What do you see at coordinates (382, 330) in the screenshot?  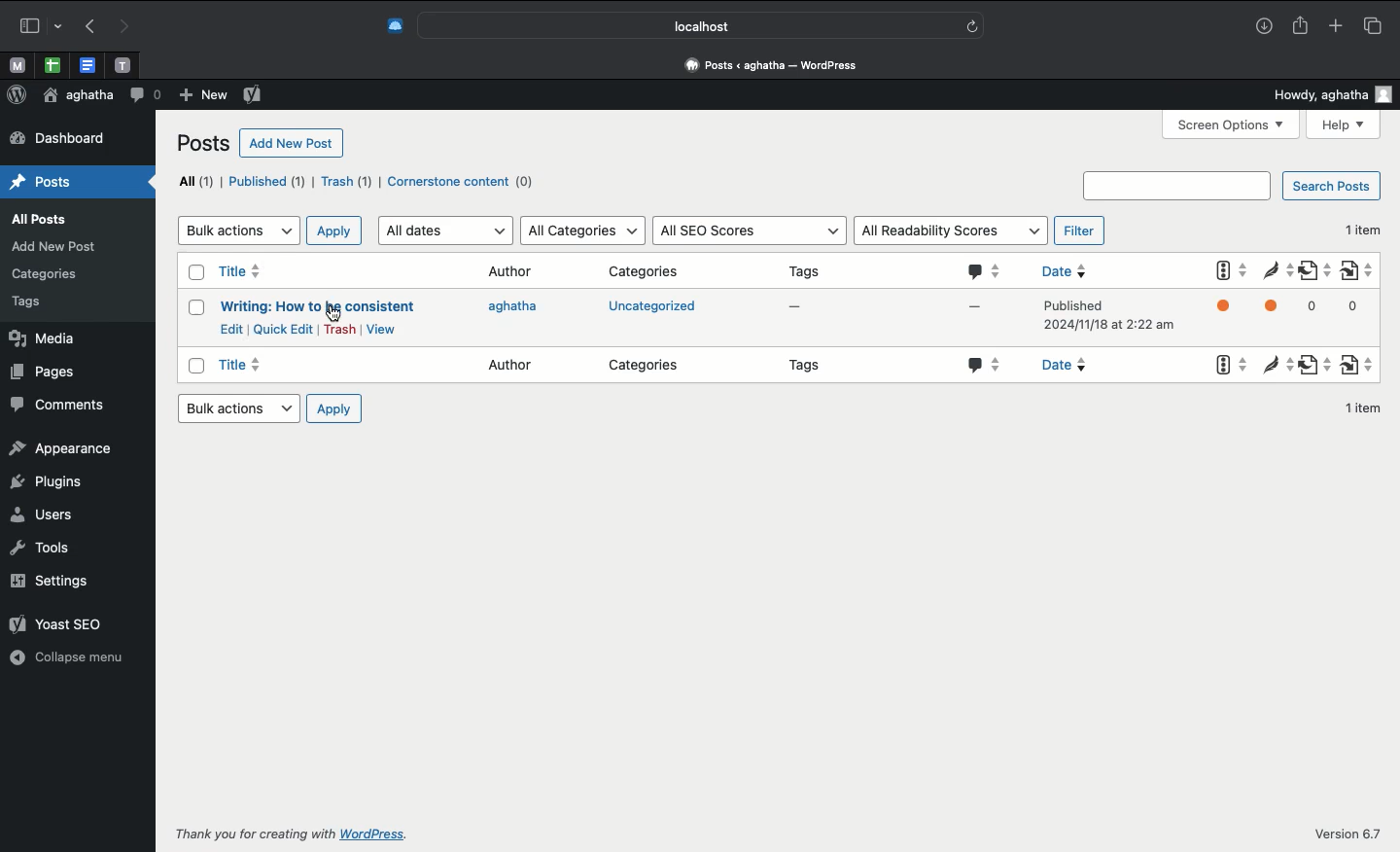 I see `View` at bounding box center [382, 330].